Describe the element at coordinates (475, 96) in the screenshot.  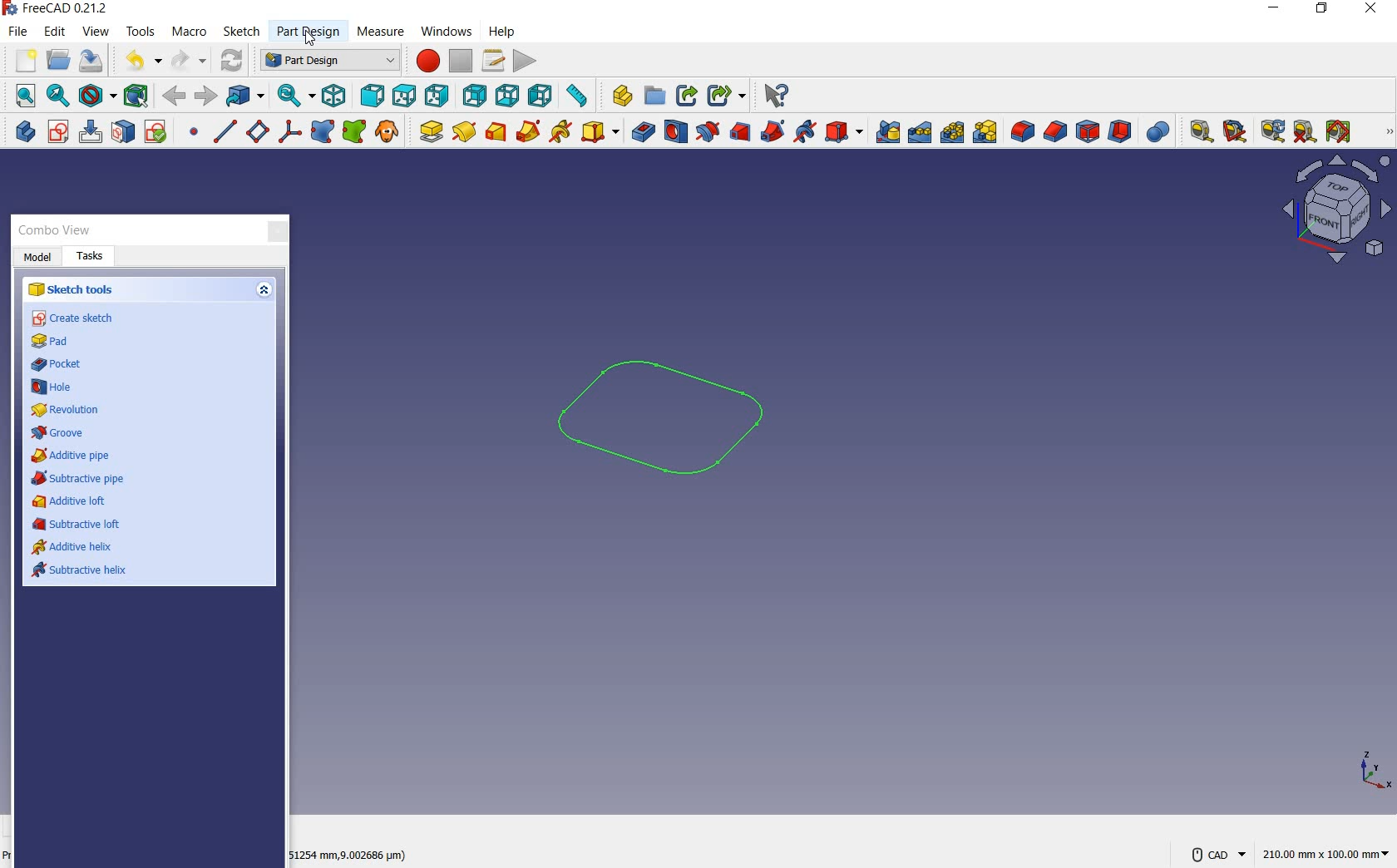
I see `rear` at that location.